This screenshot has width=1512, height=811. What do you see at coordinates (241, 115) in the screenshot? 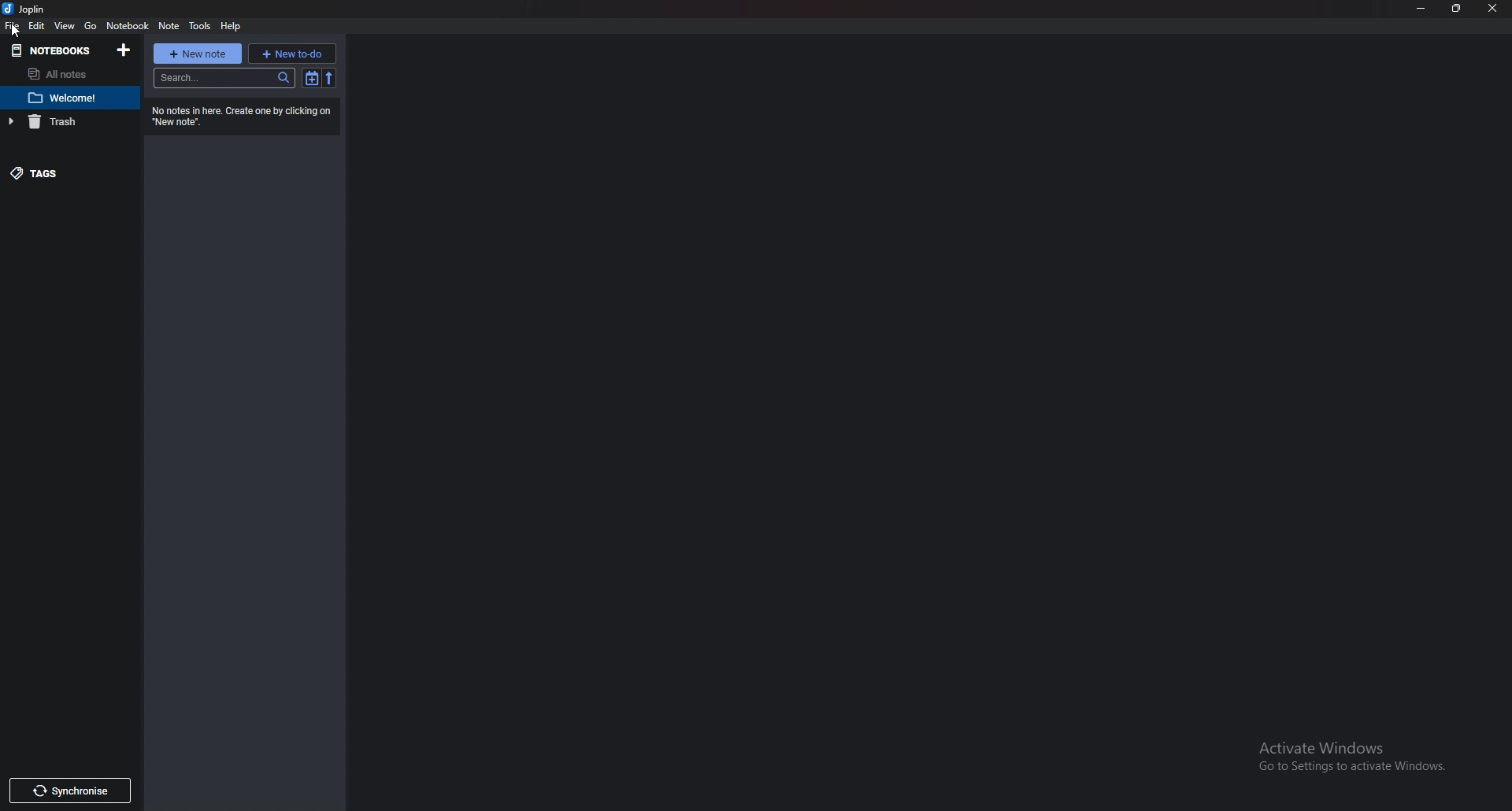
I see `Info` at bounding box center [241, 115].